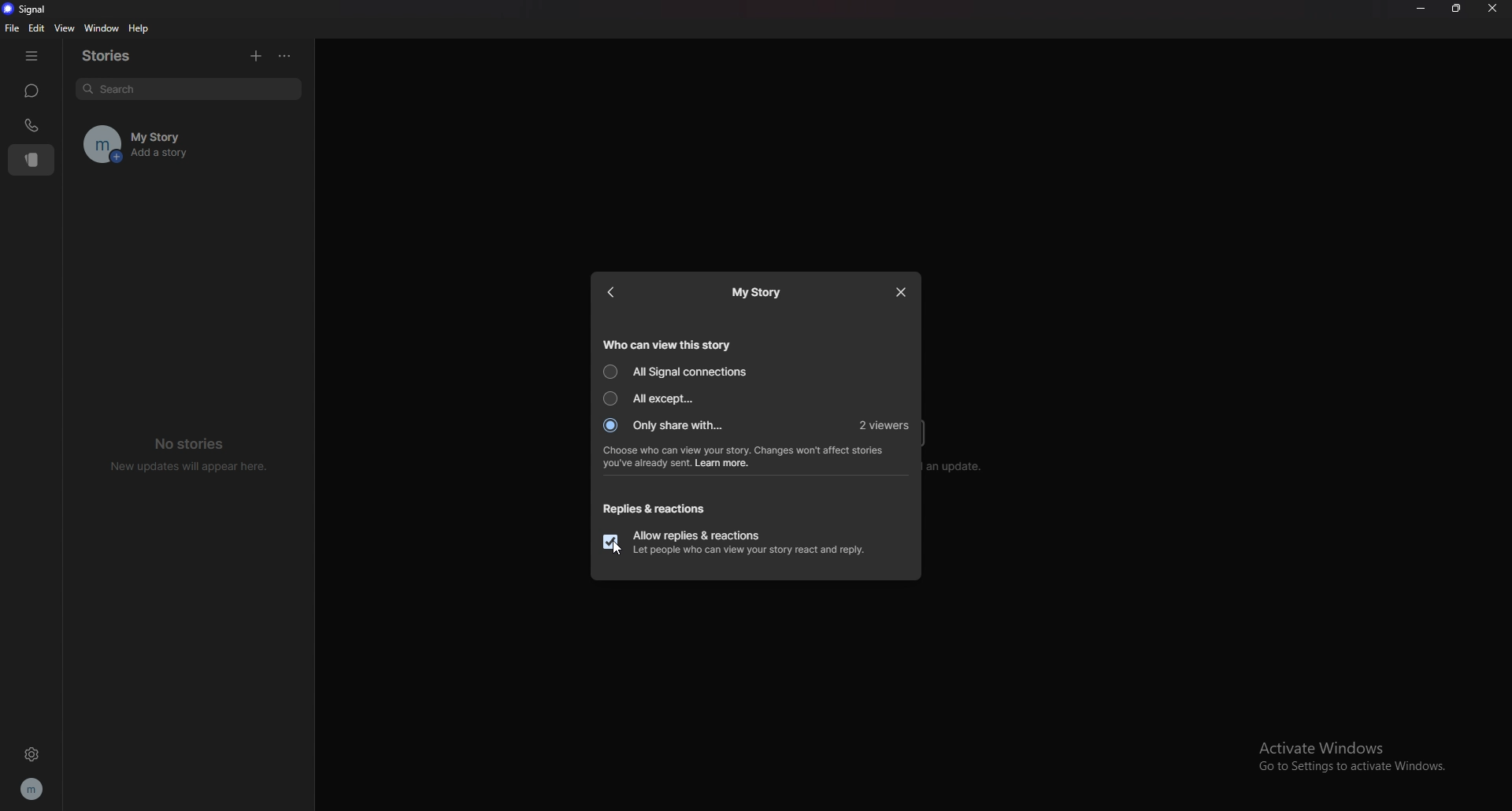 The width and height of the screenshot is (1512, 811). What do you see at coordinates (886, 426) in the screenshot?
I see `2 viewers` at bounding box center [886, 426].